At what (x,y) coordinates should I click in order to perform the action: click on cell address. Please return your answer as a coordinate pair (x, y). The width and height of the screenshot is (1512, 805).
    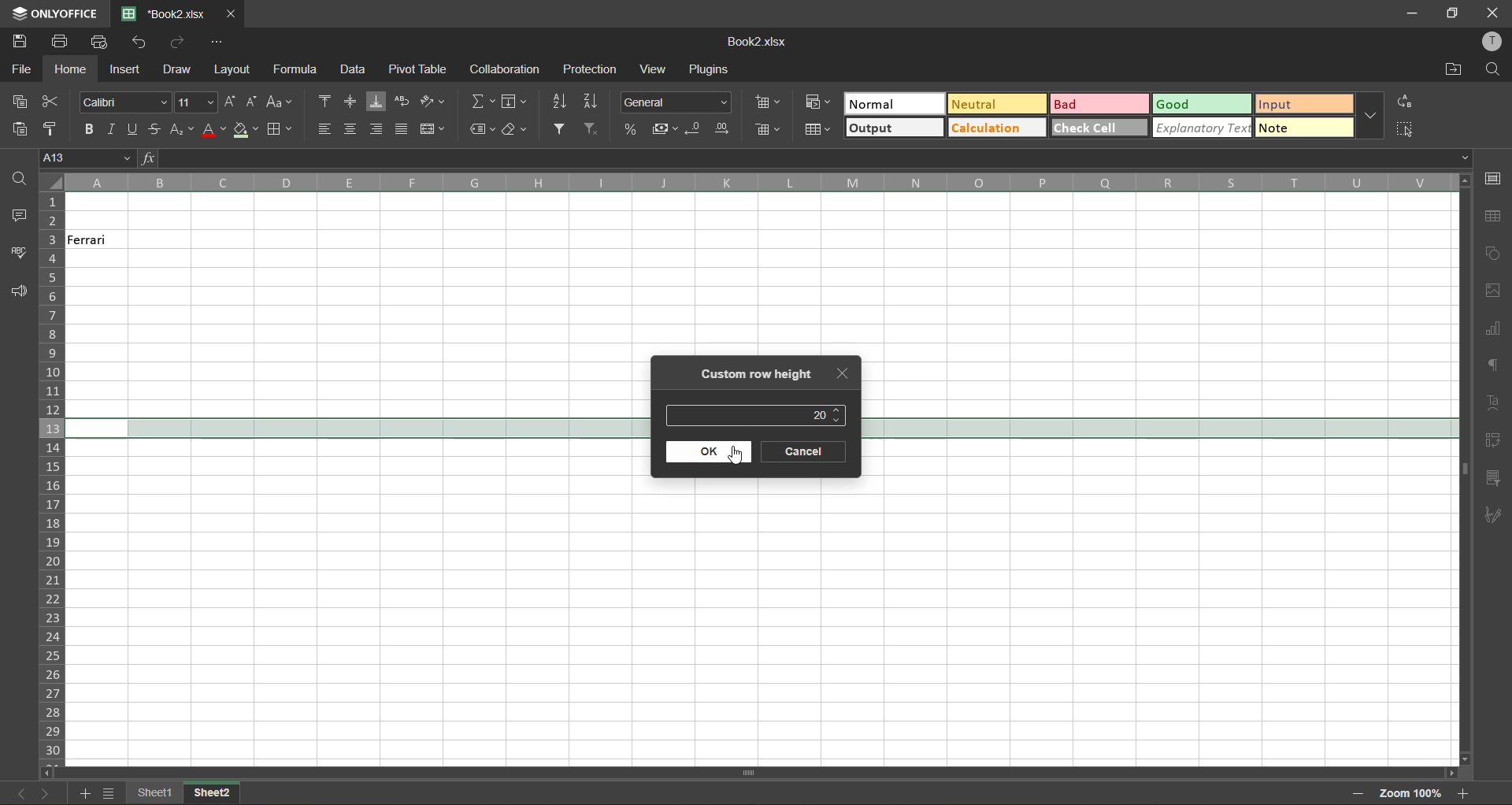
    Looking at the image, I should click on (87, 159).